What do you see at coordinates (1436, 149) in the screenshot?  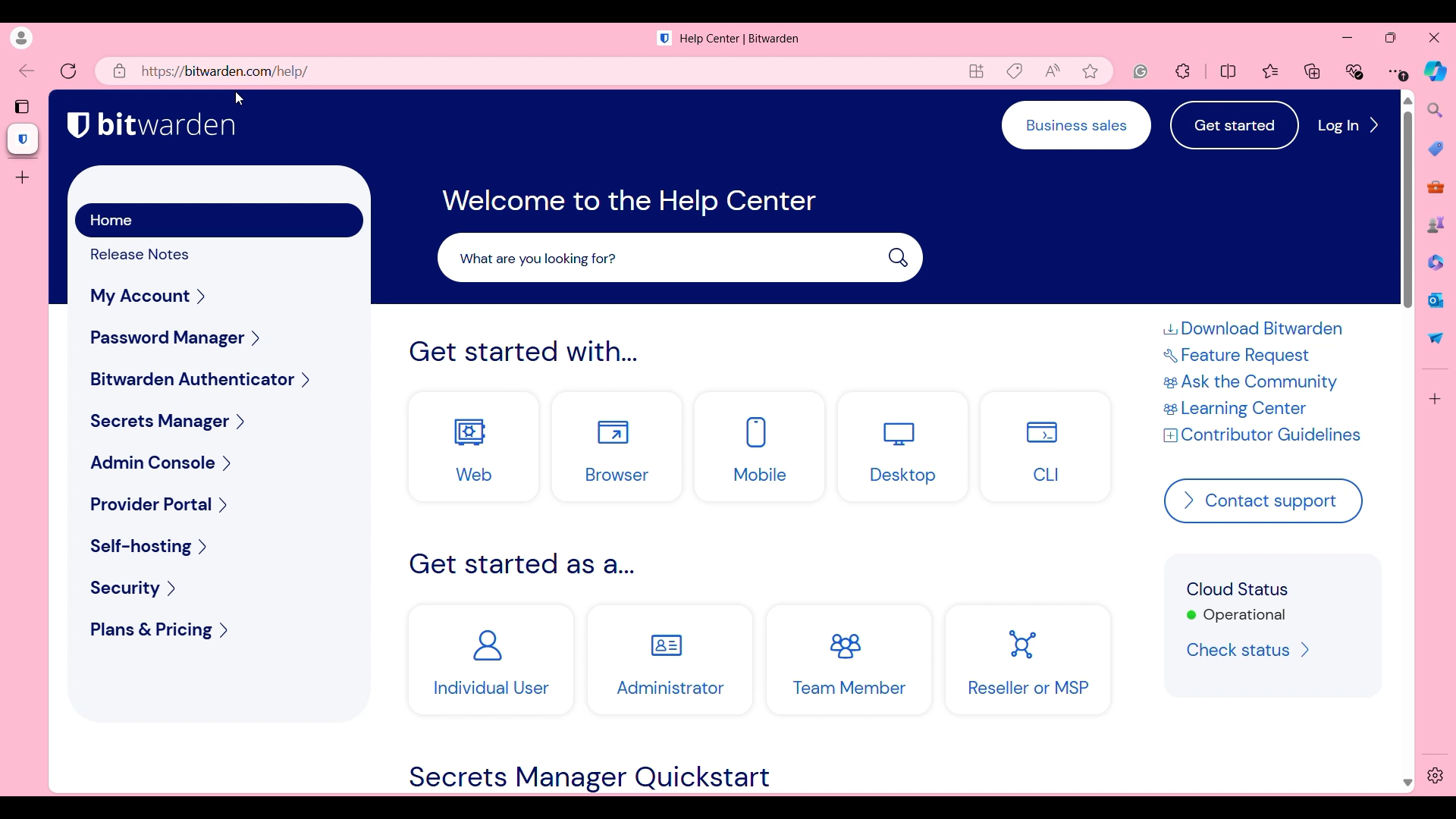 I see `Browser shopping` at bounding box center [1436, 149].